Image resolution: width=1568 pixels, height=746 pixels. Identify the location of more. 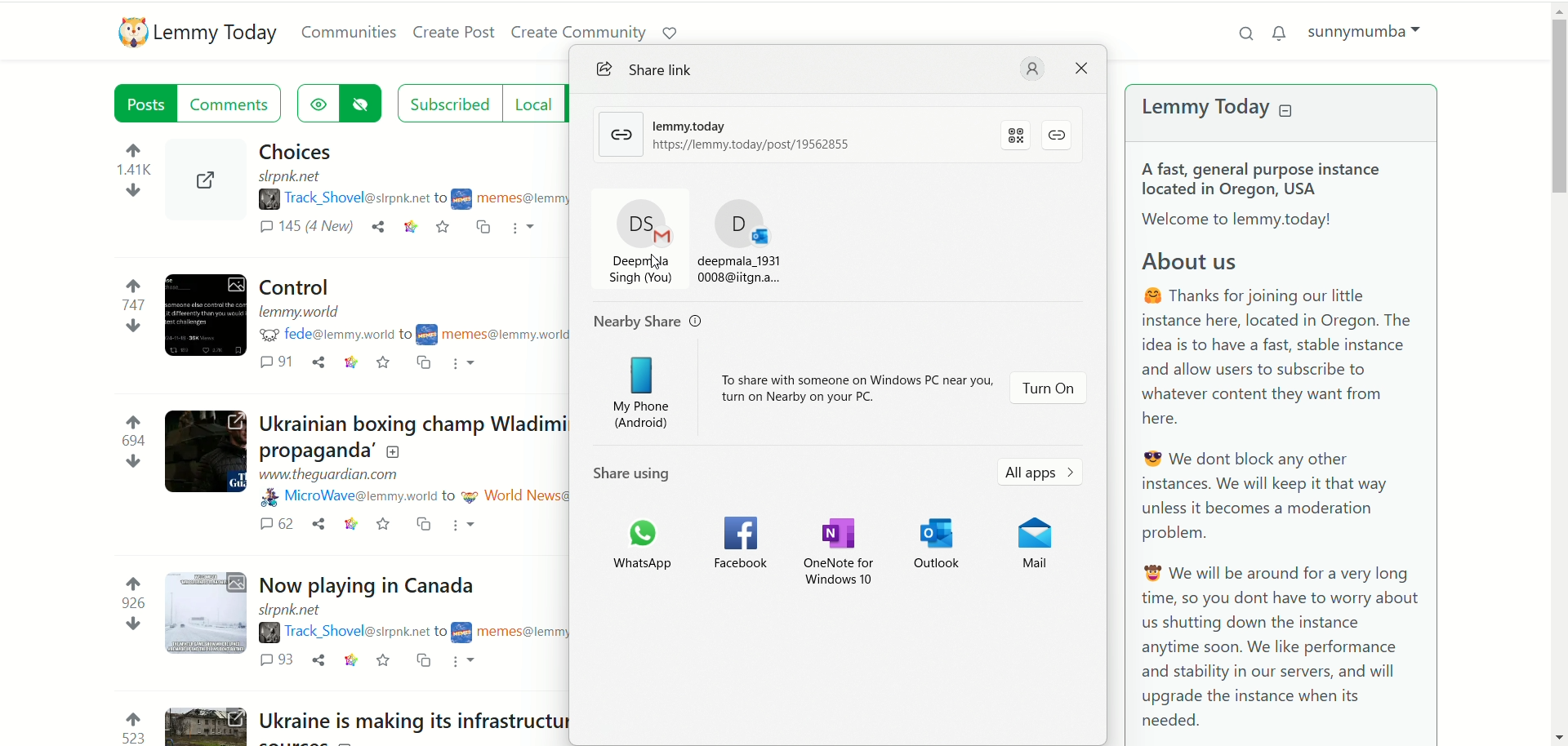
(462, 662).